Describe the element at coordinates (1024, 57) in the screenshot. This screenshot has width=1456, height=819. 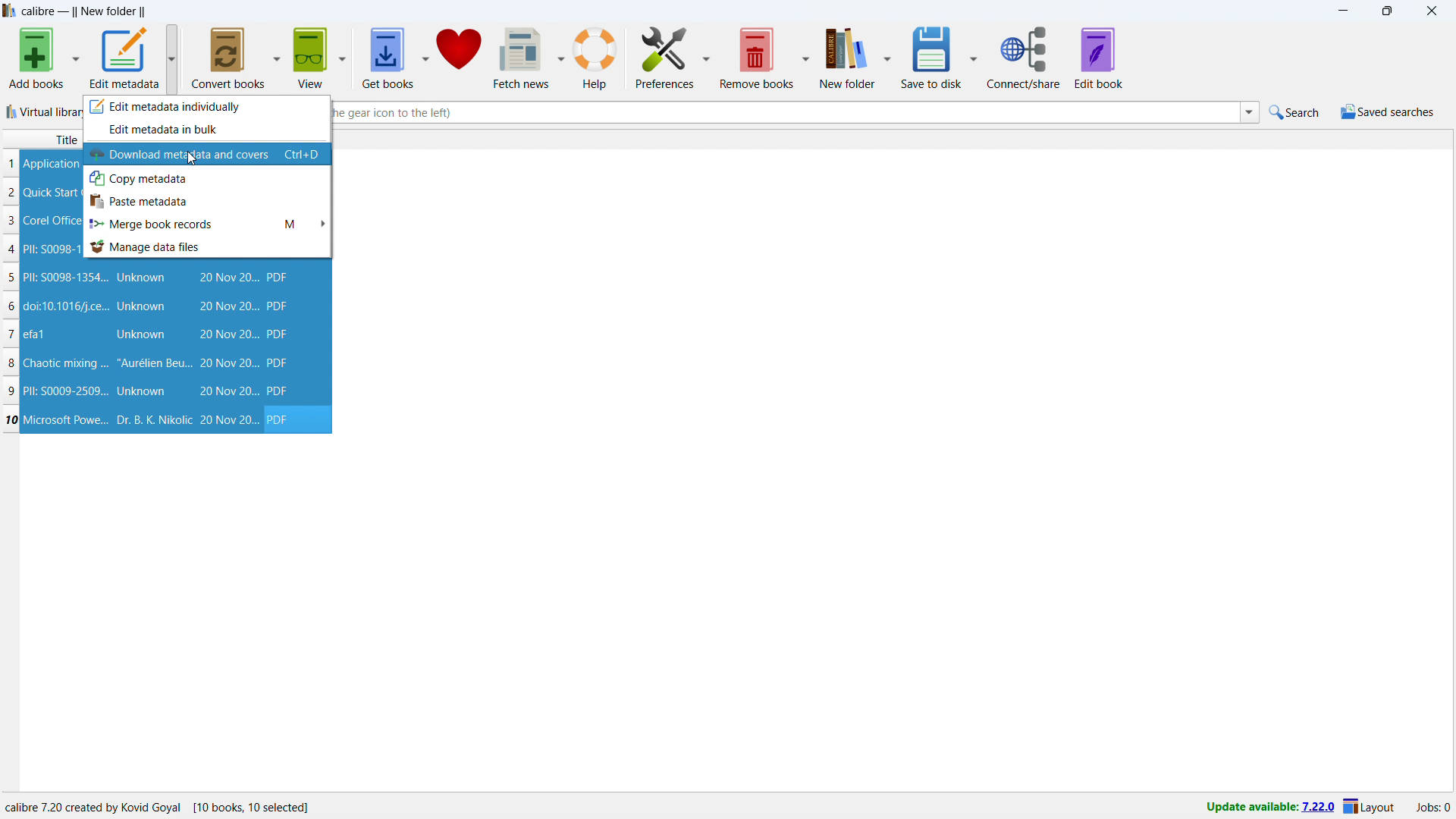
I see `connect/share` at that location.